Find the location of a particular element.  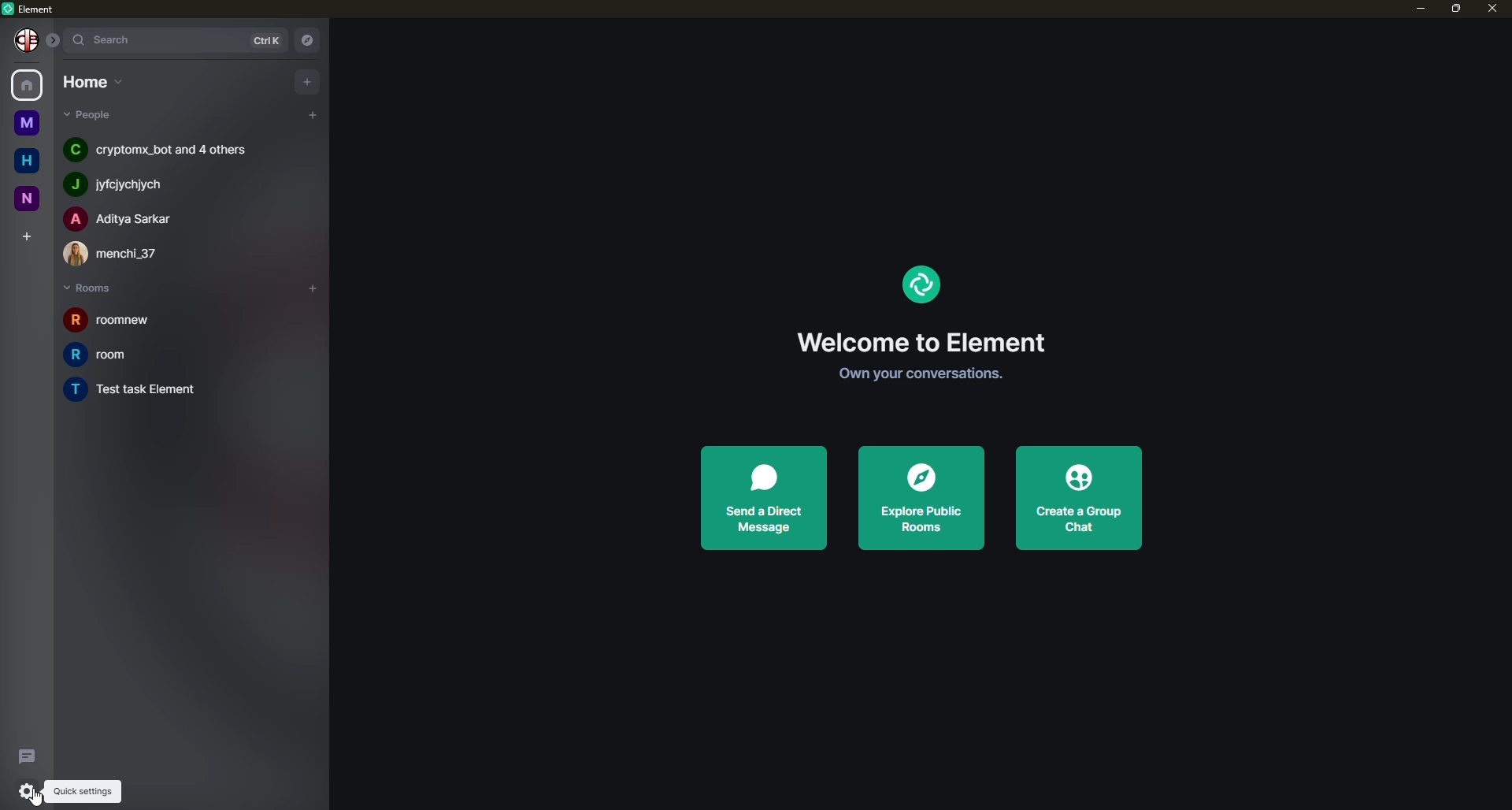

people is located at coordinates (88, 116).